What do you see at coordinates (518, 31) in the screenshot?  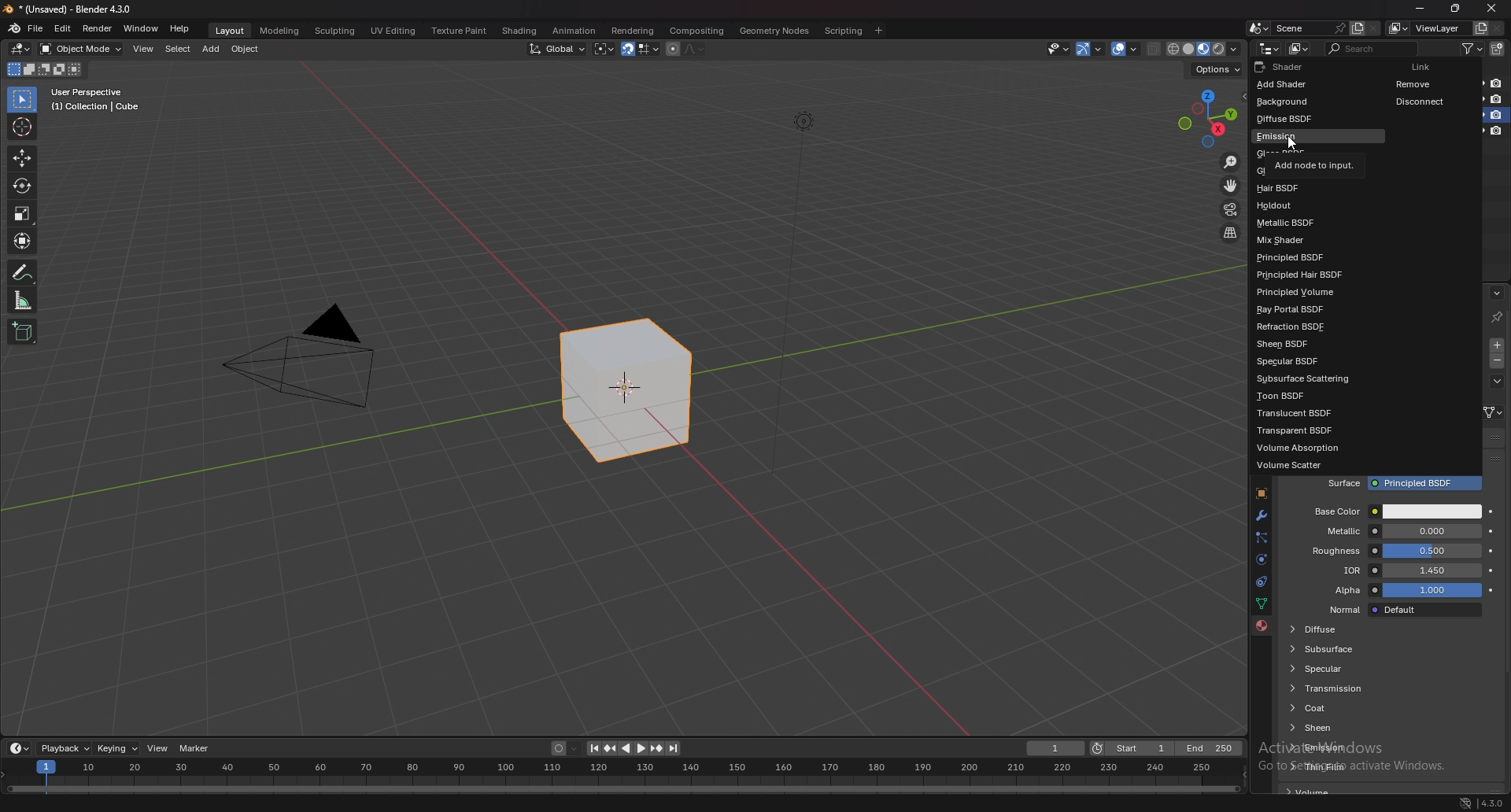 I see `shading` at bounding box center [518, 31].